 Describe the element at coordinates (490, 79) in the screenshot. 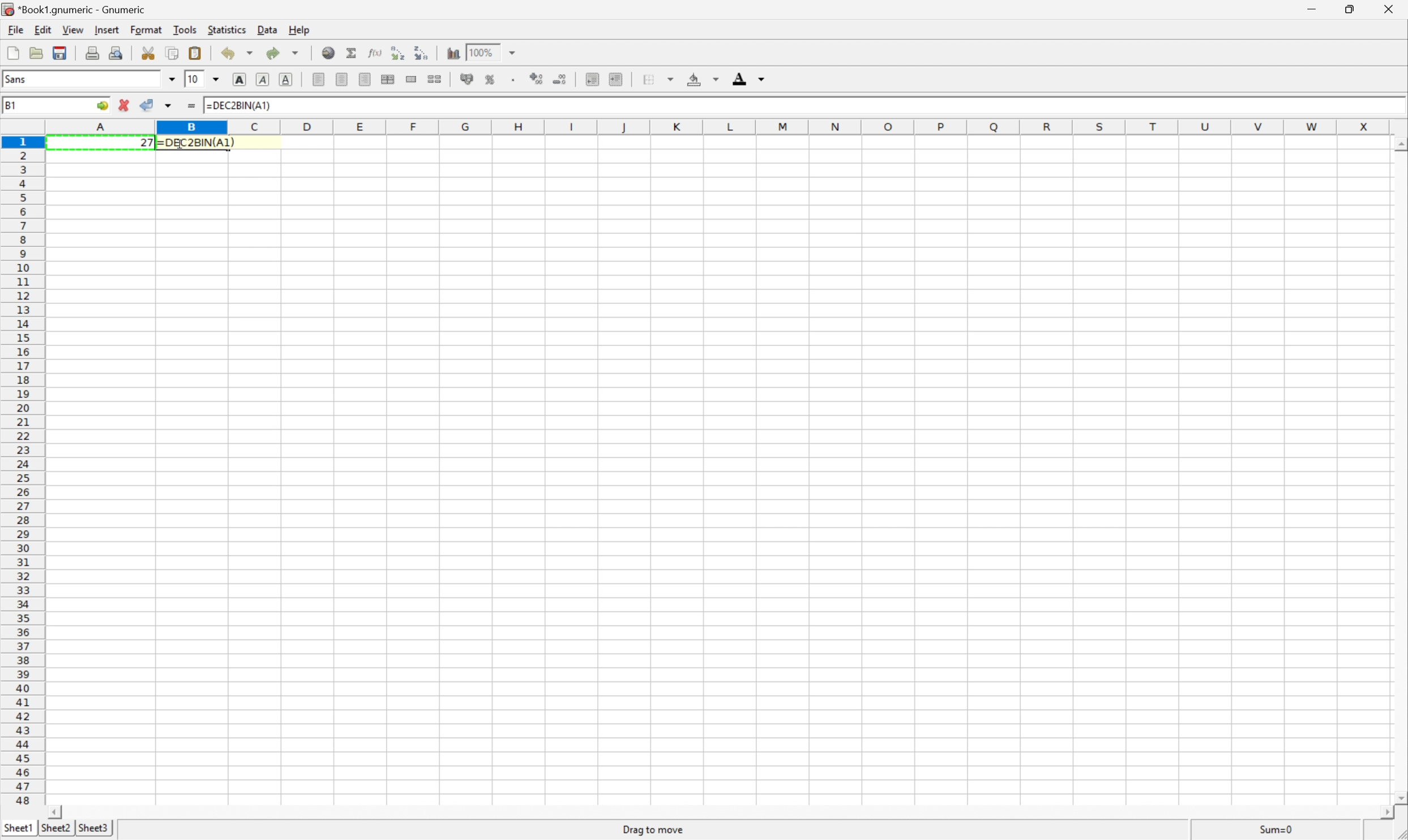

I see `Format the selection as percentage` at that location.